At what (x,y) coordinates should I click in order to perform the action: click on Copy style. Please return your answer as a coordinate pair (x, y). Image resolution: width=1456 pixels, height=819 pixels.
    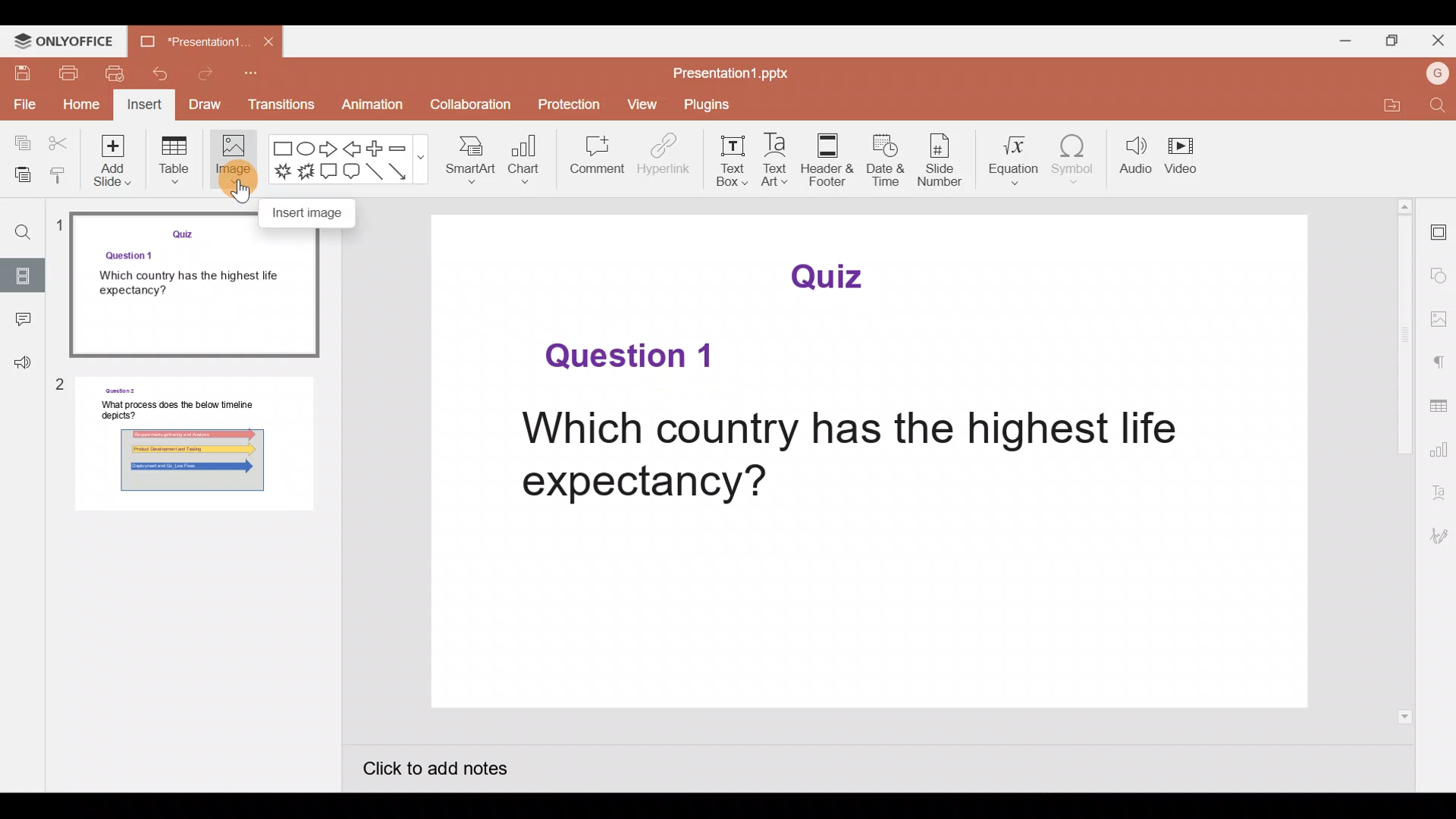
    Looking at the image, I should click on (59, 171).